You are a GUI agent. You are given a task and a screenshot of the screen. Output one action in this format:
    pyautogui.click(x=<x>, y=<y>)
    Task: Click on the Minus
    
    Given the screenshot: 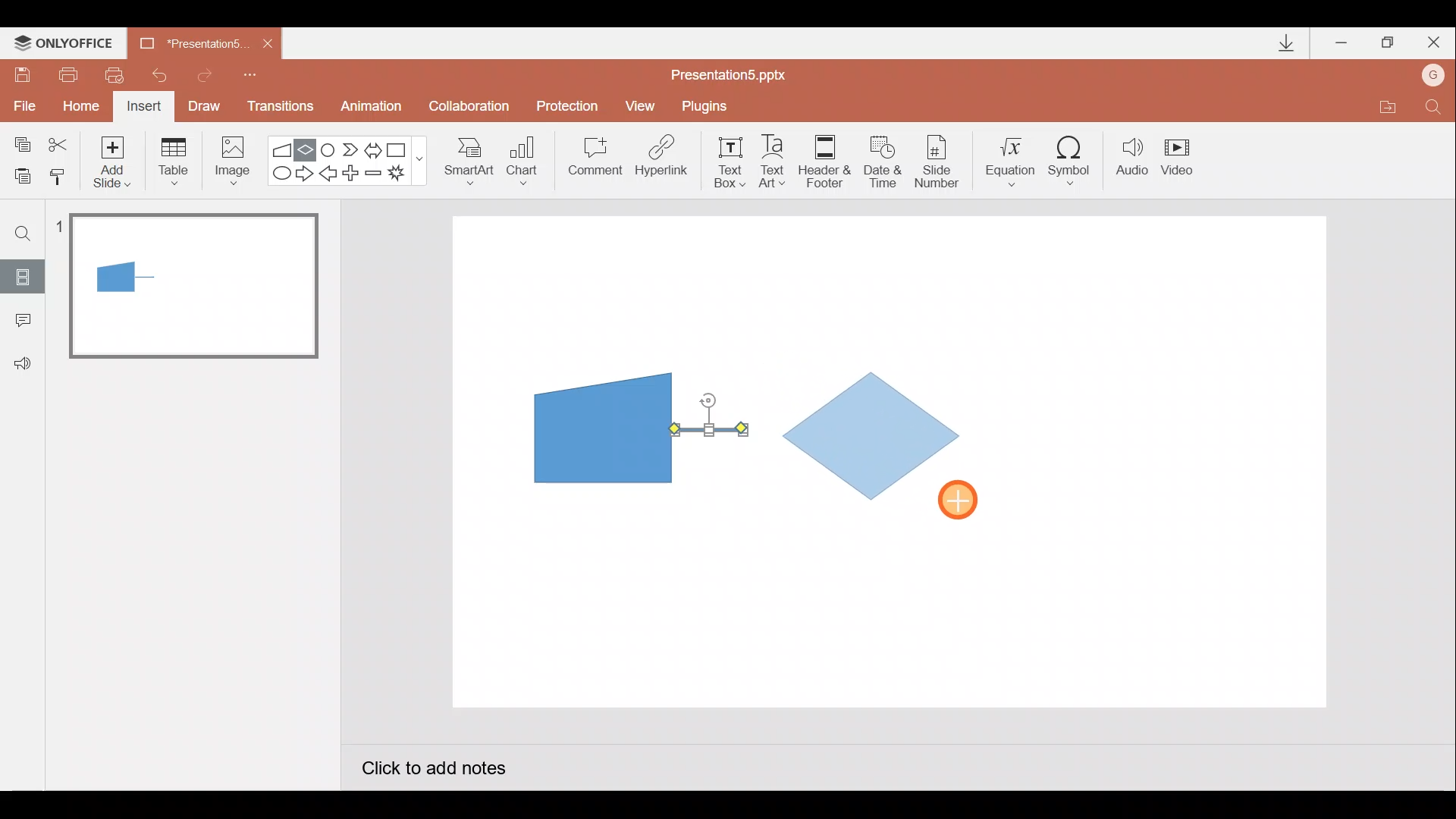 What is the action you would take?
    pyautogui.click(x=375, y=176)
    